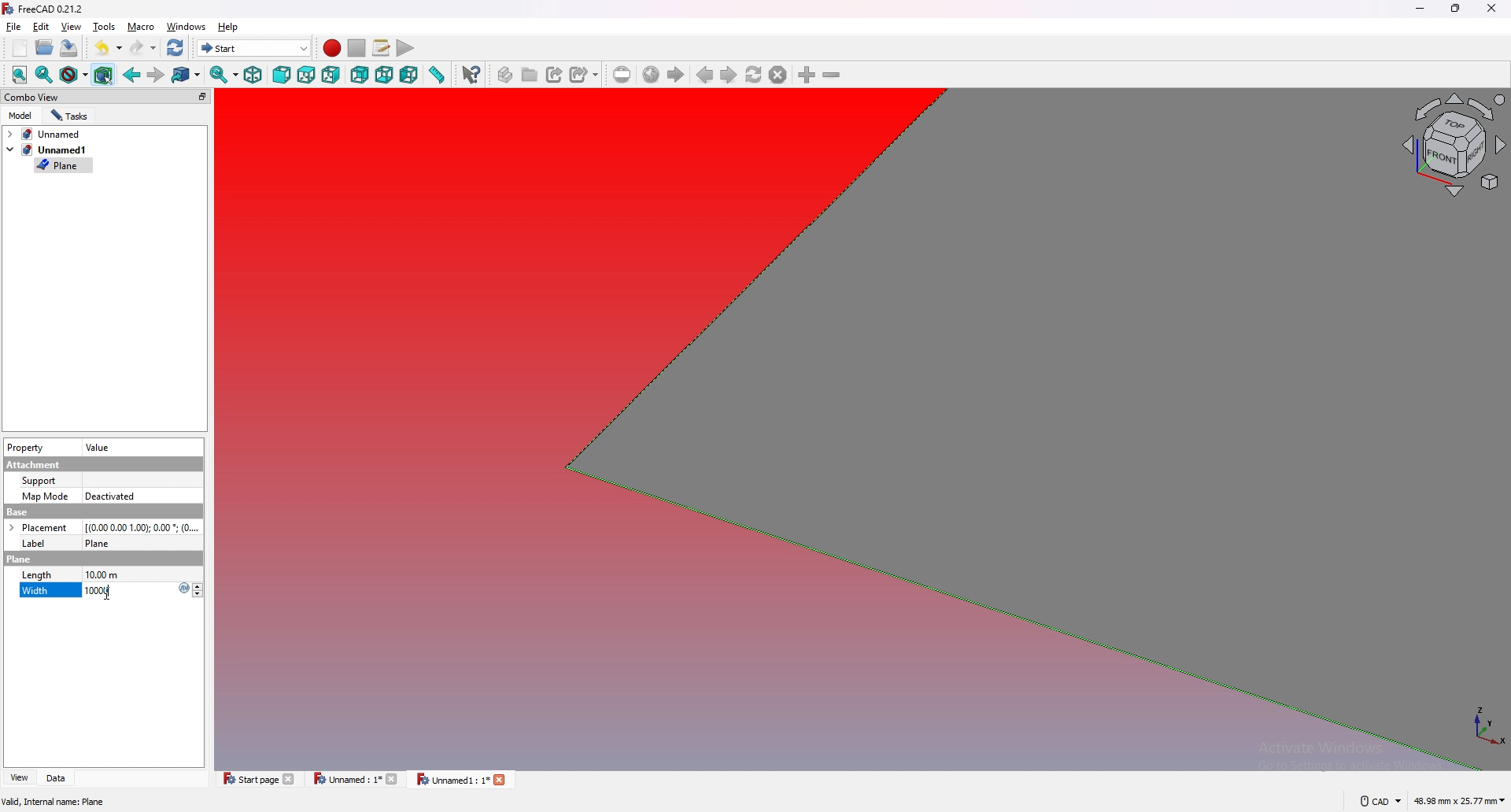 This screenshot has width=1511, height=812. Describe the element at coordinates (471, 75) in the screenshot. I see `whats this` at that location.